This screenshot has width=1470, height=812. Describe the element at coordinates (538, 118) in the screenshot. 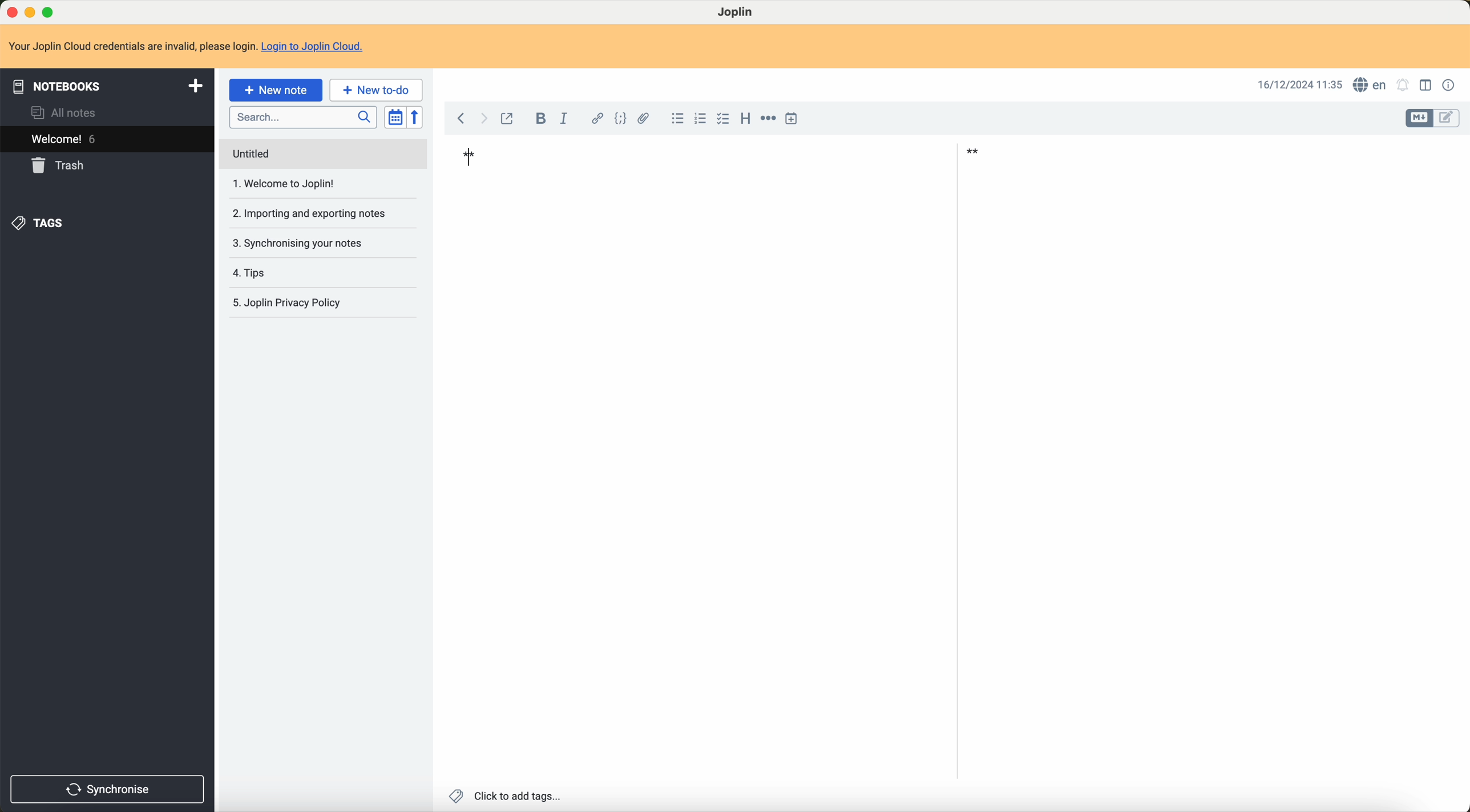

I see `bold` at that location.